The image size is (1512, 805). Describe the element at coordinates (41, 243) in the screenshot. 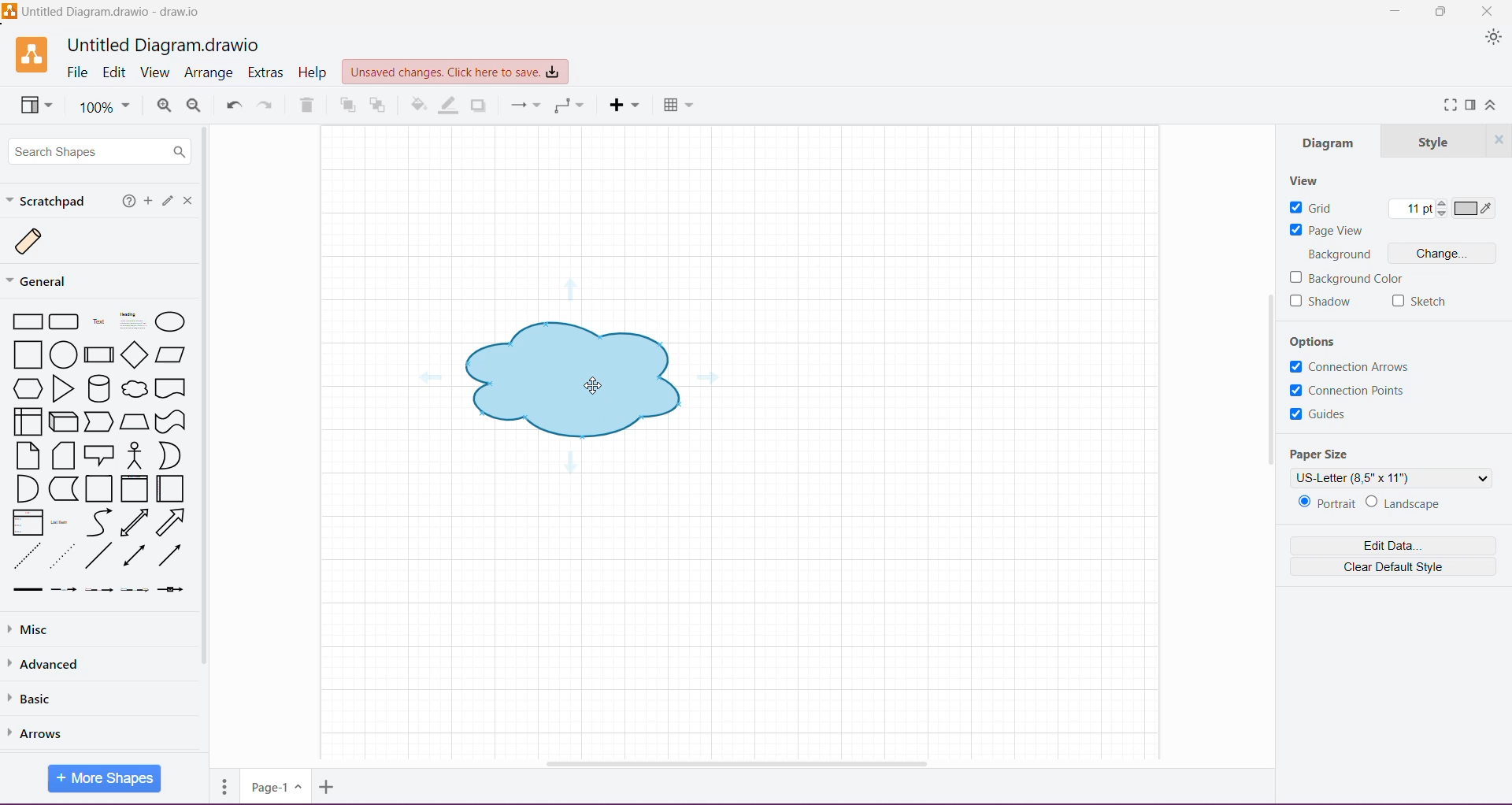

I see `Scratch Image` at that location.